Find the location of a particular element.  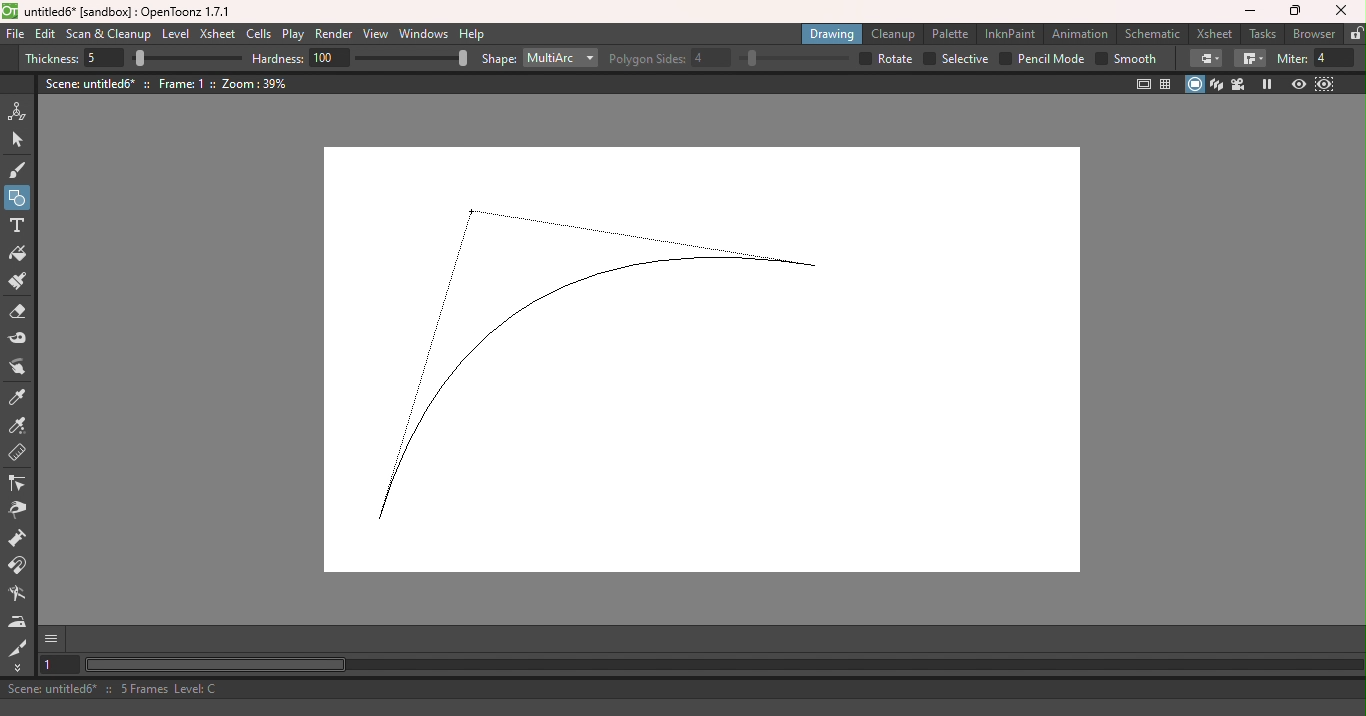

Selective is located at coordinates (957, 58).